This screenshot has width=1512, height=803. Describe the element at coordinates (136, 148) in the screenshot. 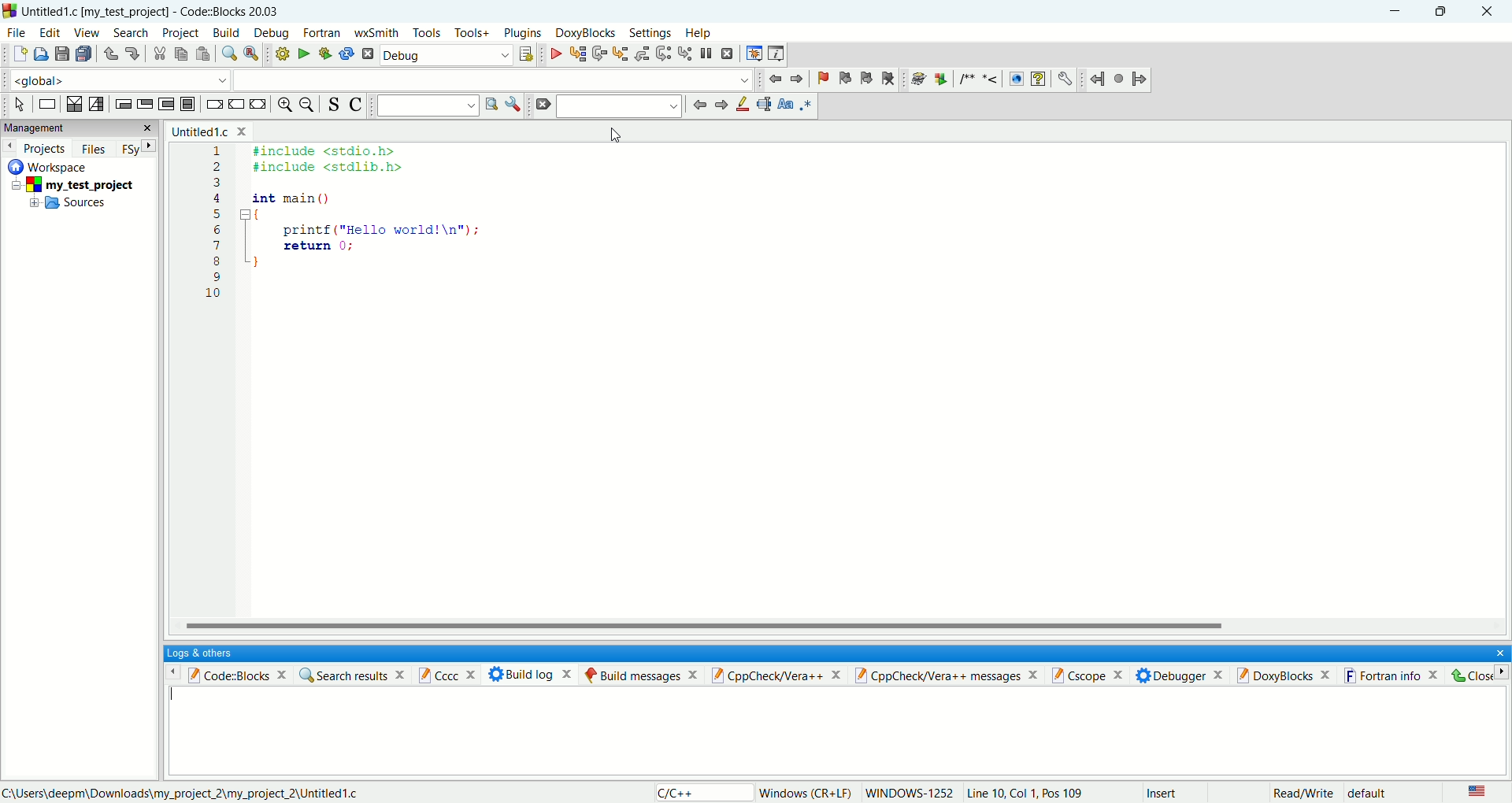

I see `FSy` at that location.